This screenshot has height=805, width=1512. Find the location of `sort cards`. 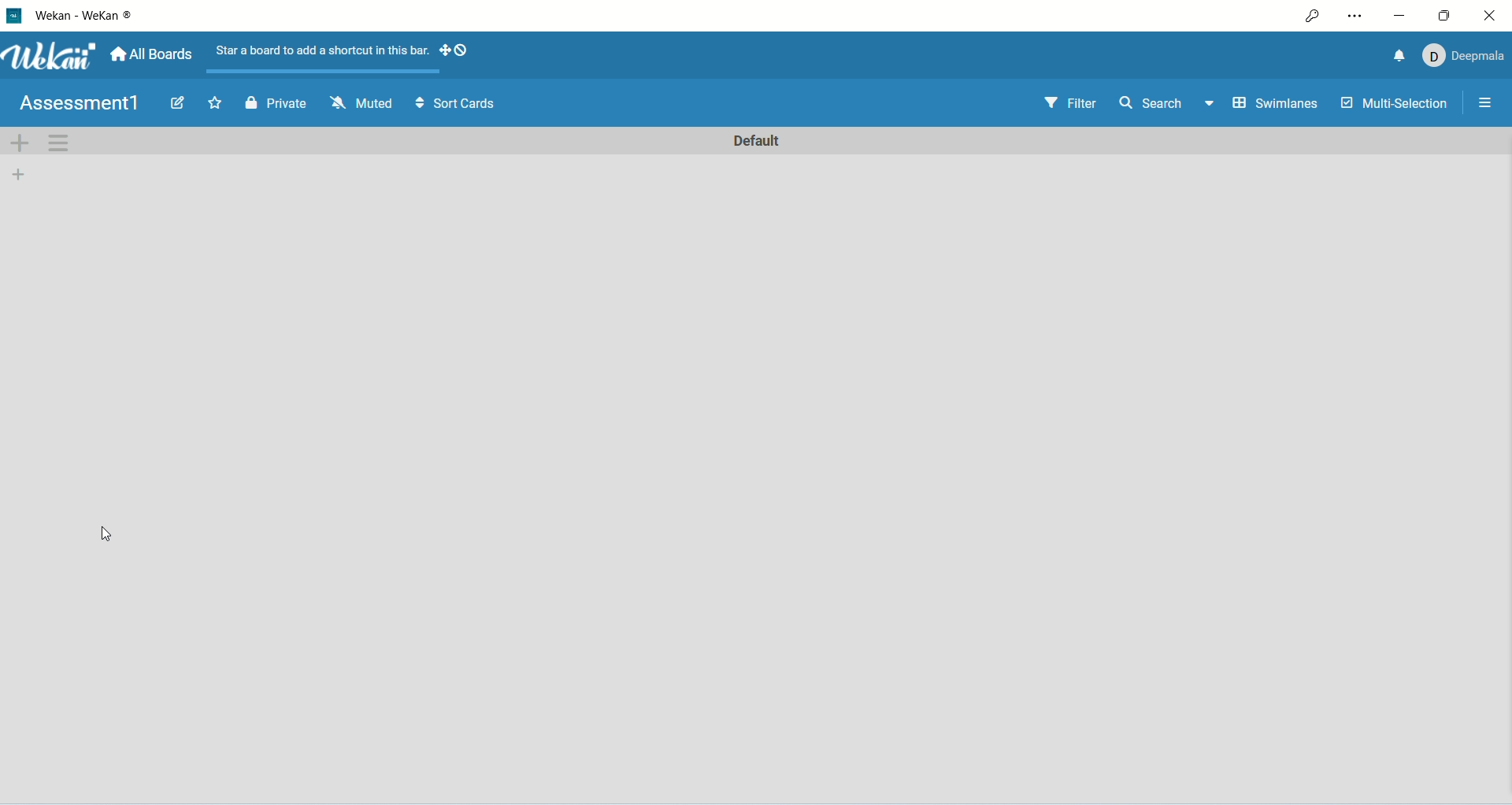

sort cards is located at coordinates (455, 104).